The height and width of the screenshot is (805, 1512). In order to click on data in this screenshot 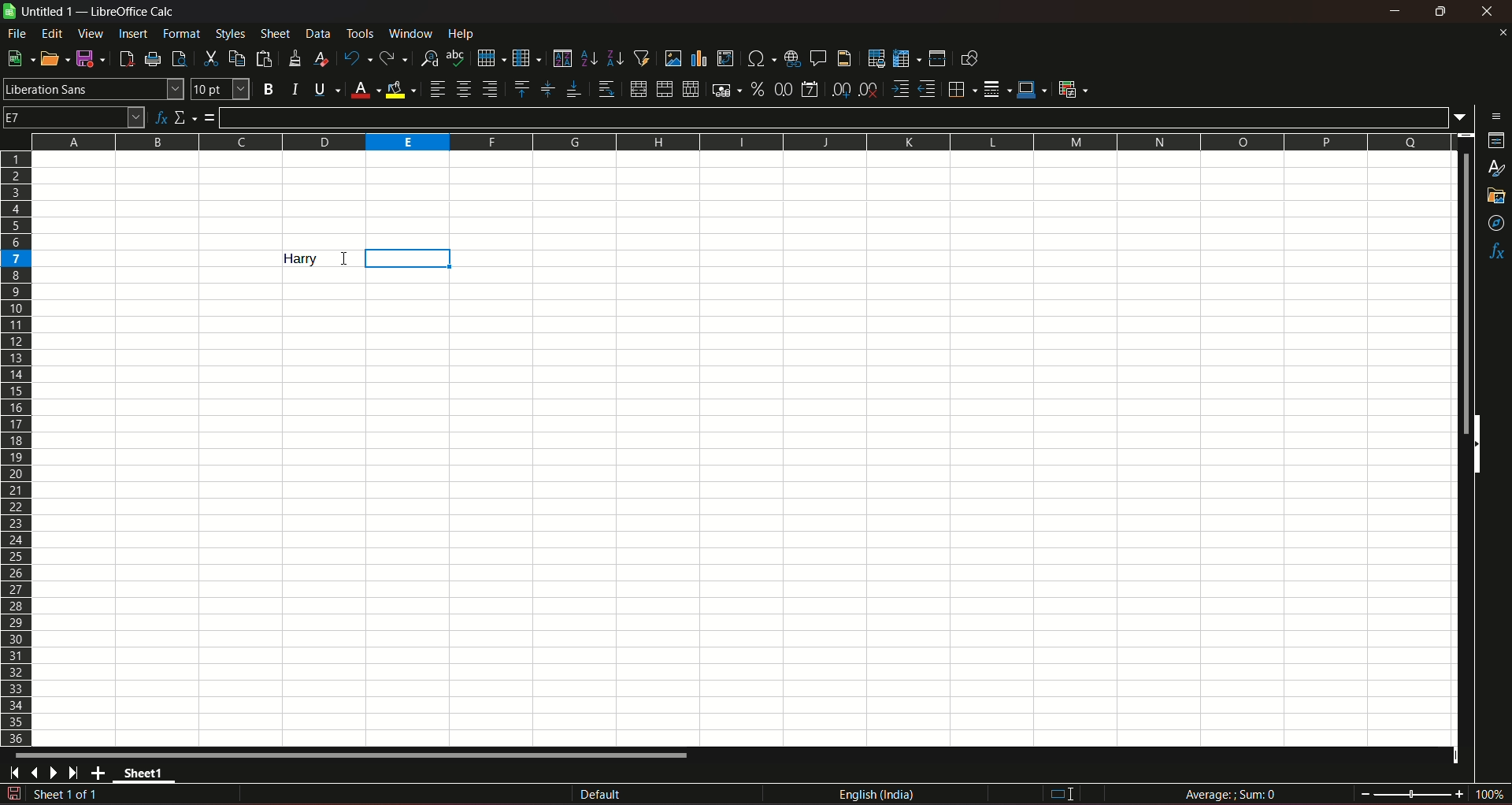, I will do `click(318, 33)`.